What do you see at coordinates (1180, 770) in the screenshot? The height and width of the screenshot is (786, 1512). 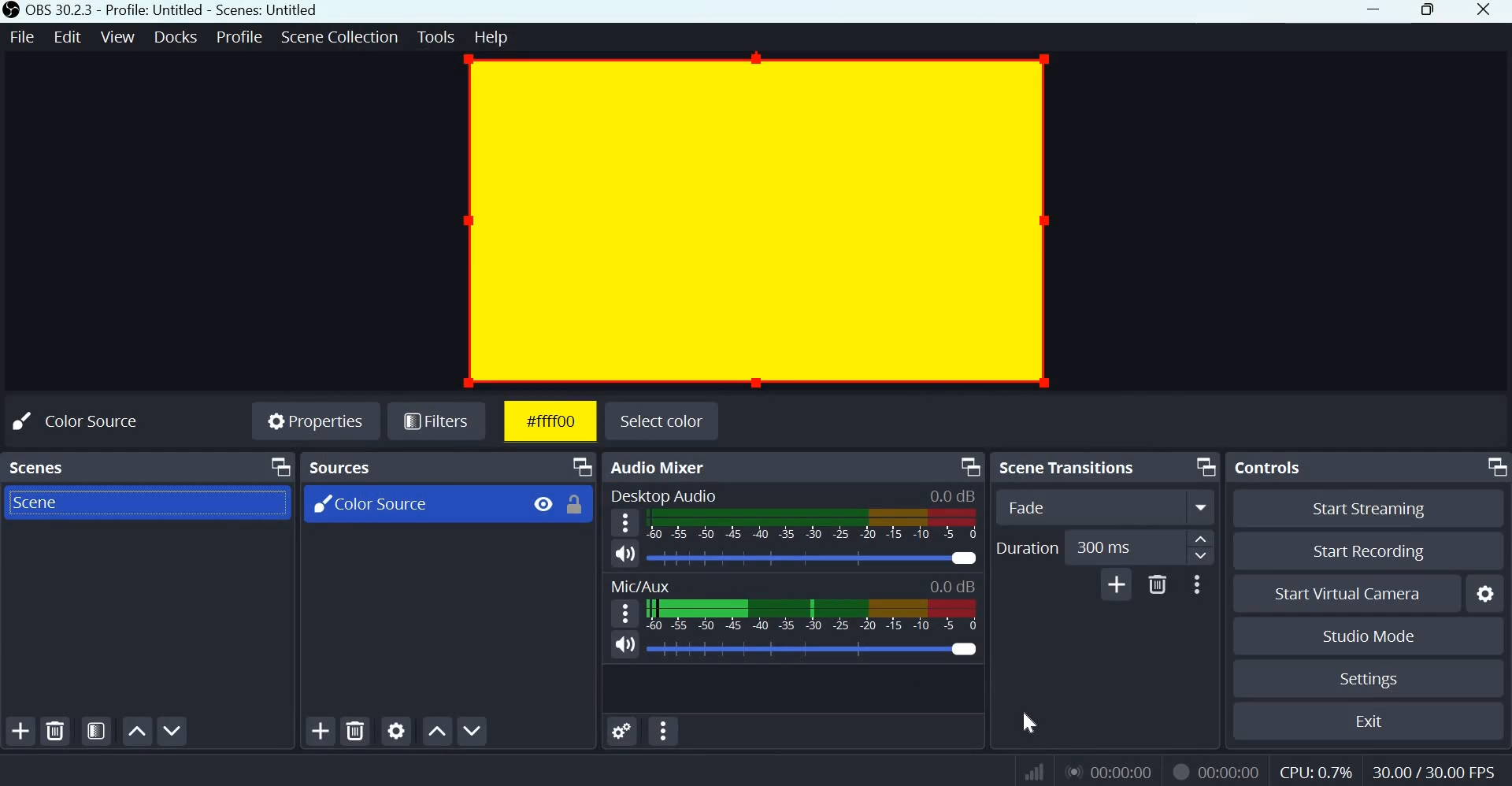 I see `Live Duration Timer` at bounding box center [1180, 770].